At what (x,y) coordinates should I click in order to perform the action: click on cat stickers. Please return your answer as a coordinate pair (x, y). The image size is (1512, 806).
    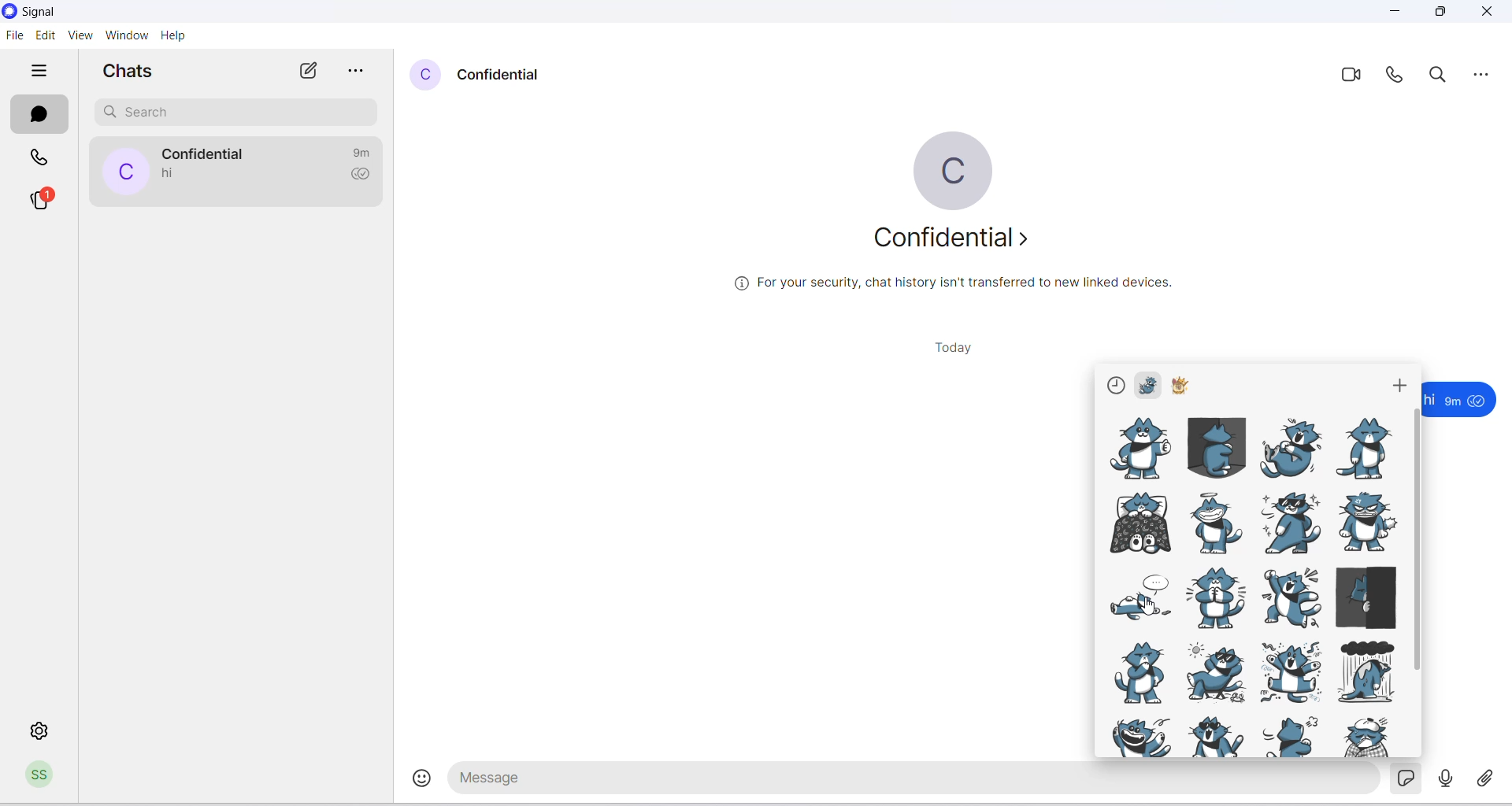
    Looking at the image, I should click on (1251, 586).